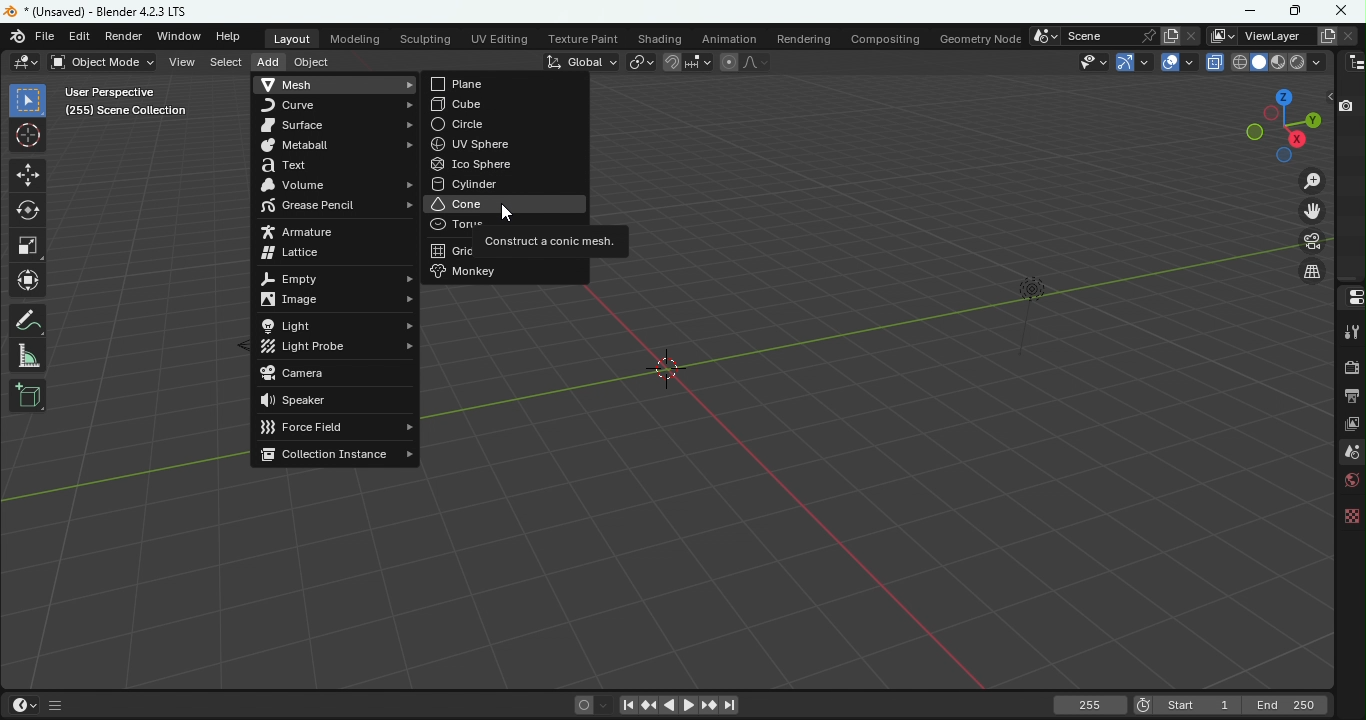 This screenshot has height=720, width=1366. I want to click on First frame of the playback/rendering range, so click(1200, 705).